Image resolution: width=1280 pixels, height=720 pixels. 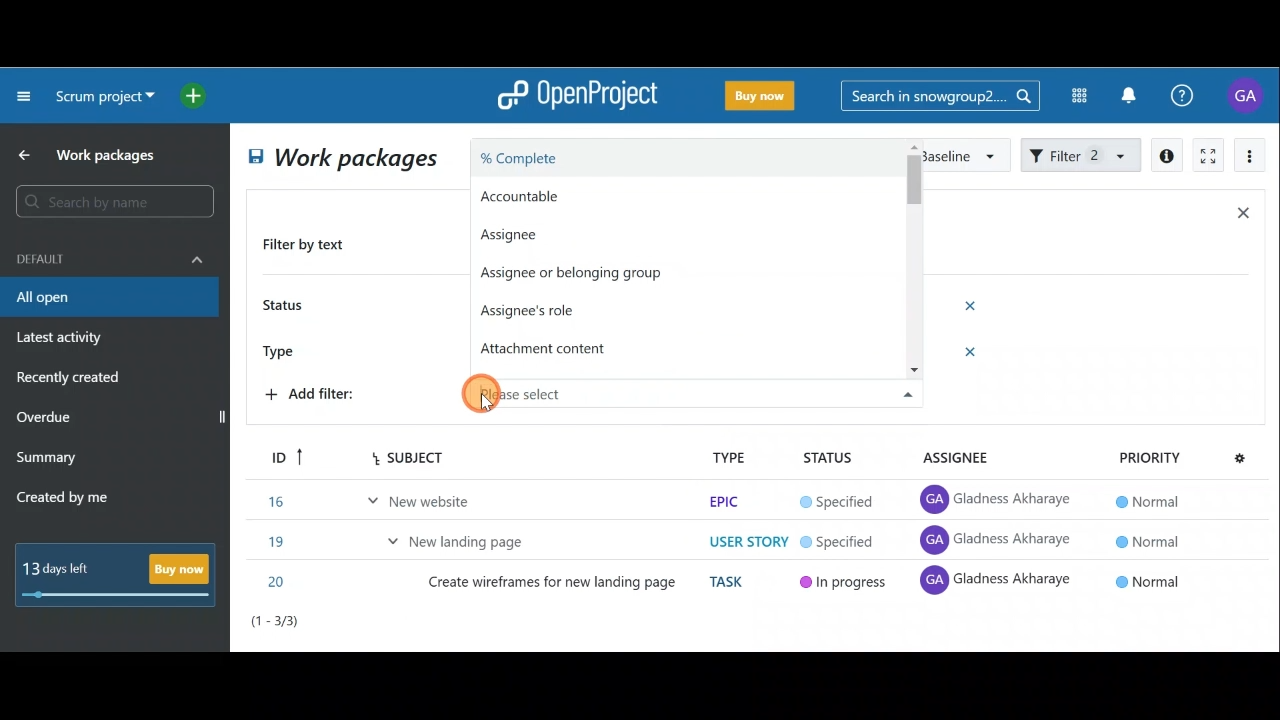 What do you see at coordinates (912, 272) in the screenshot?
I see `Scroll bar` at bounding box center [912, 272].